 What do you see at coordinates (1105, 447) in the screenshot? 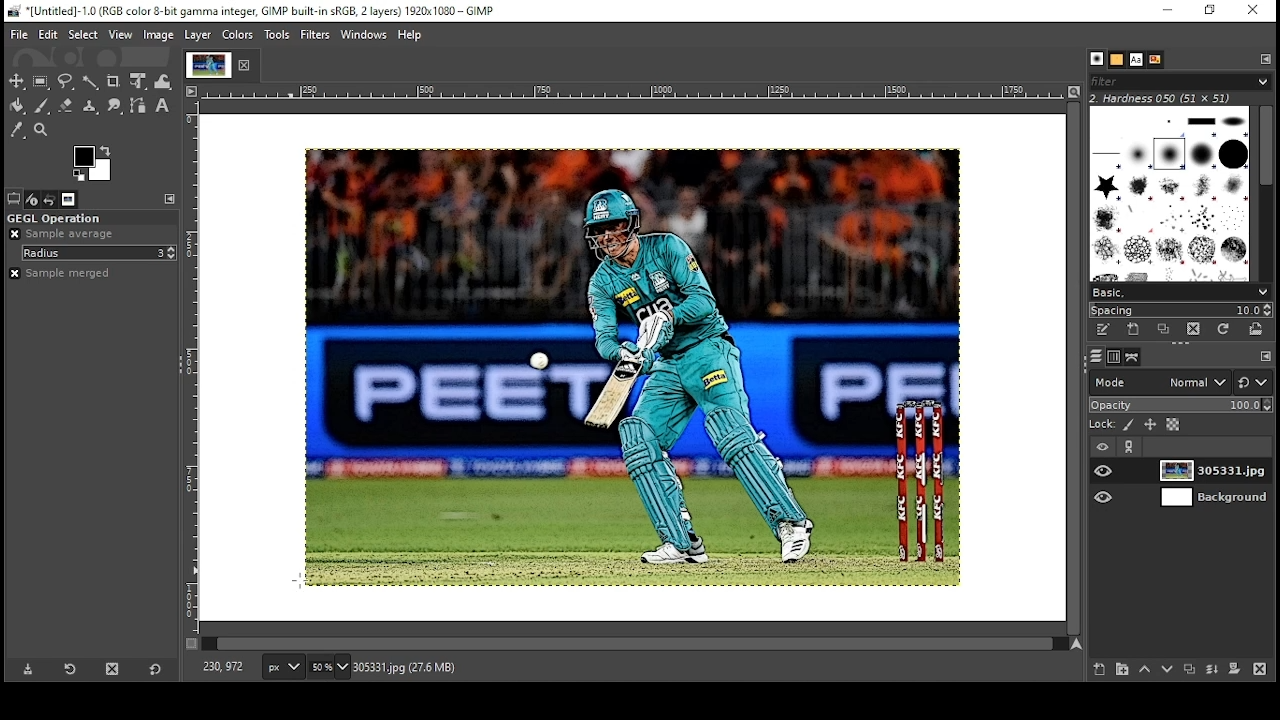
I see `layer visibility` at bounding box center [1105, 447].